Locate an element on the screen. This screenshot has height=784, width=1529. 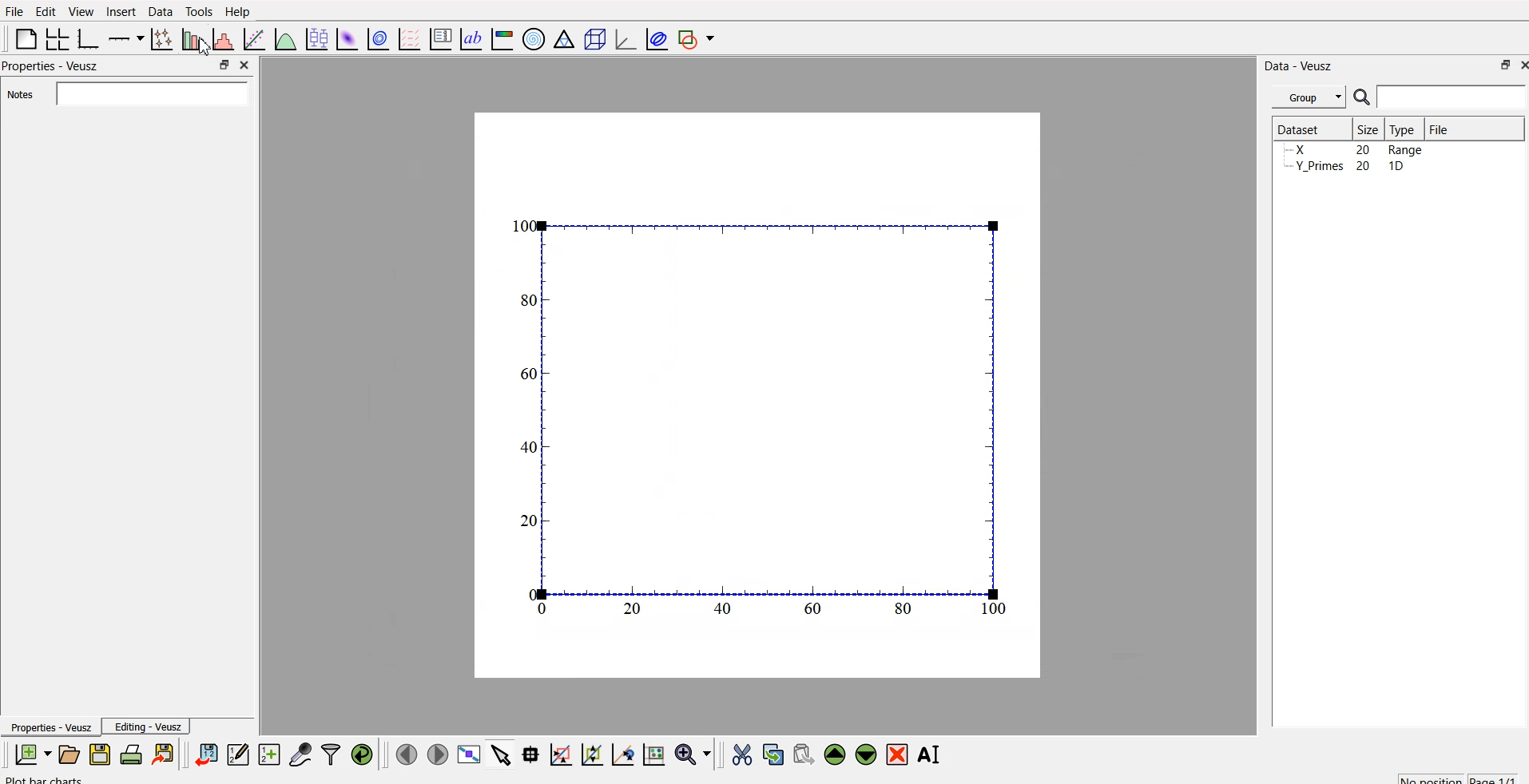
3D scene is located at coordinates (595, 41).